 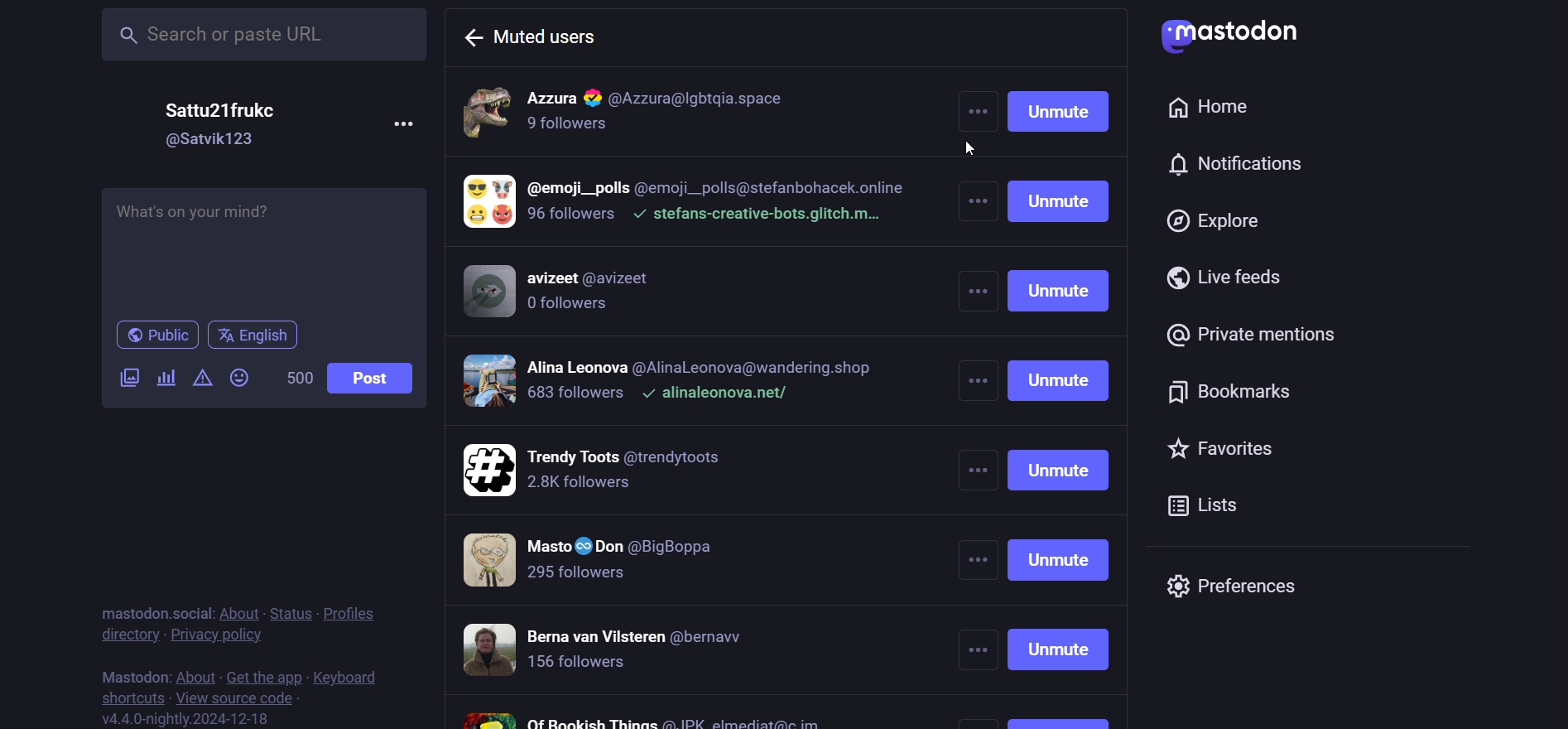 I want to click on cursor, so click(x=971, y=145).